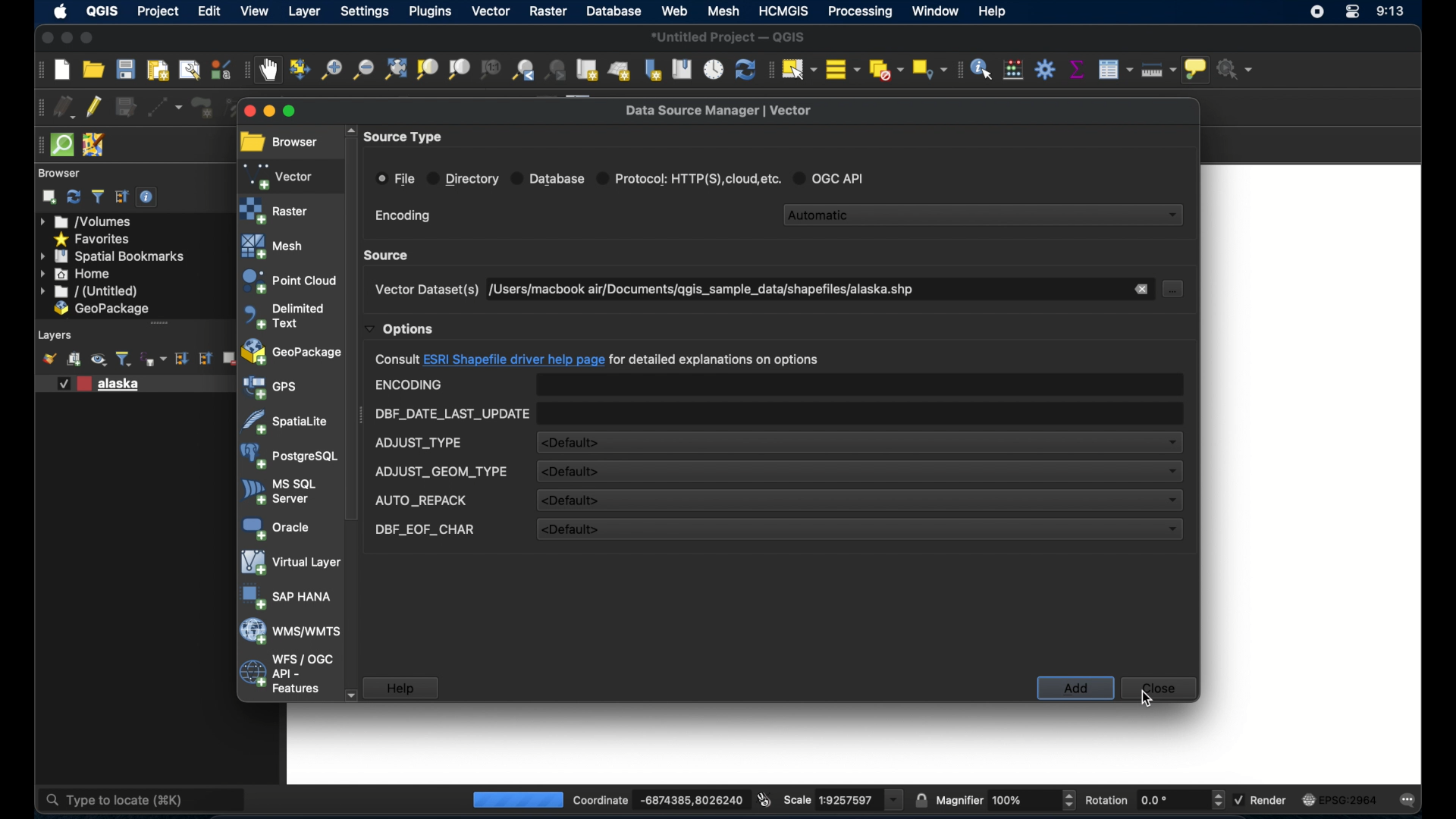 The width and height of the screenshot is (1456, 819). I want to click on filter legend by expression, so click(158, 361).